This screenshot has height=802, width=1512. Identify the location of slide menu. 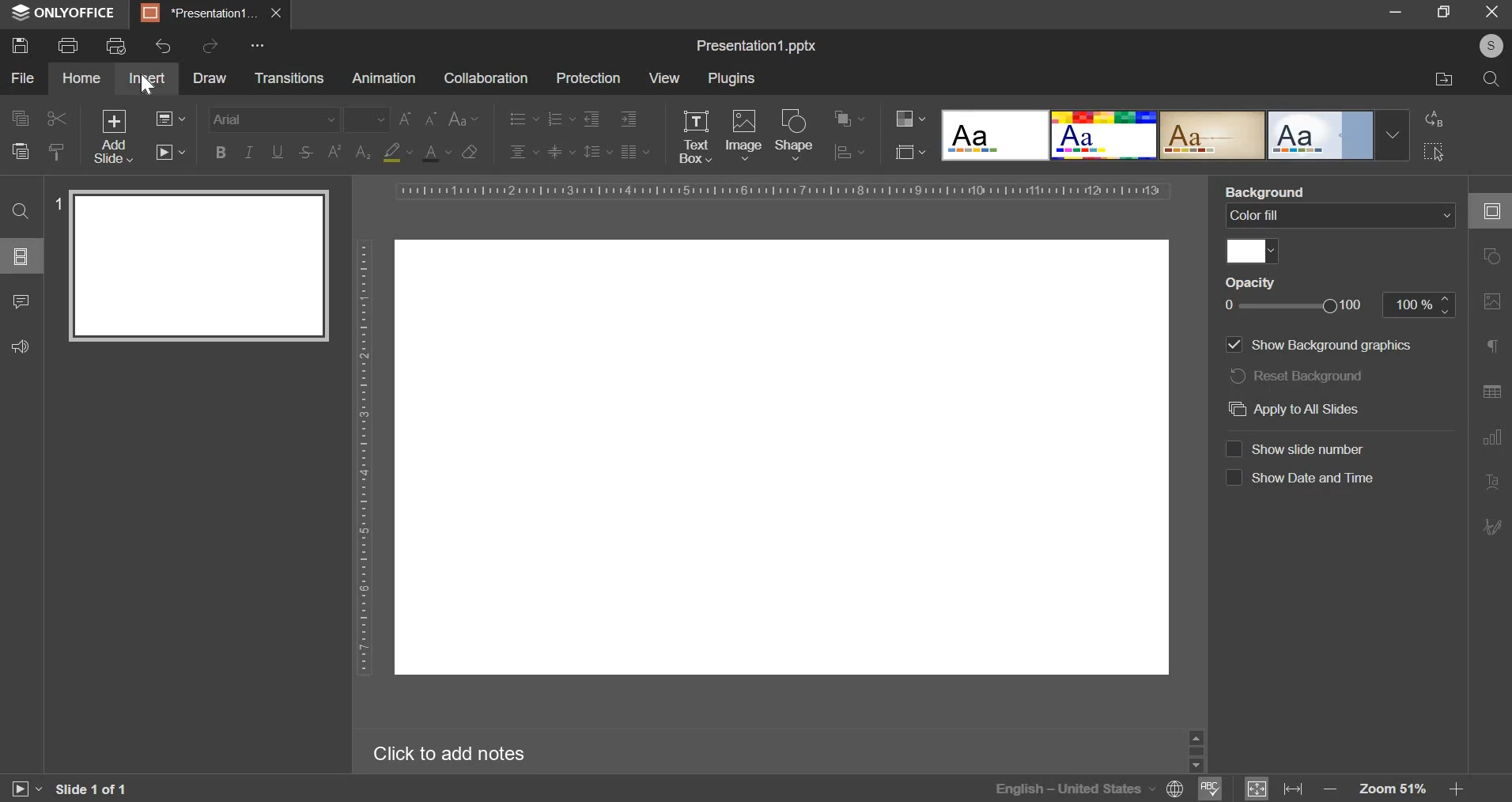
(20, 256).